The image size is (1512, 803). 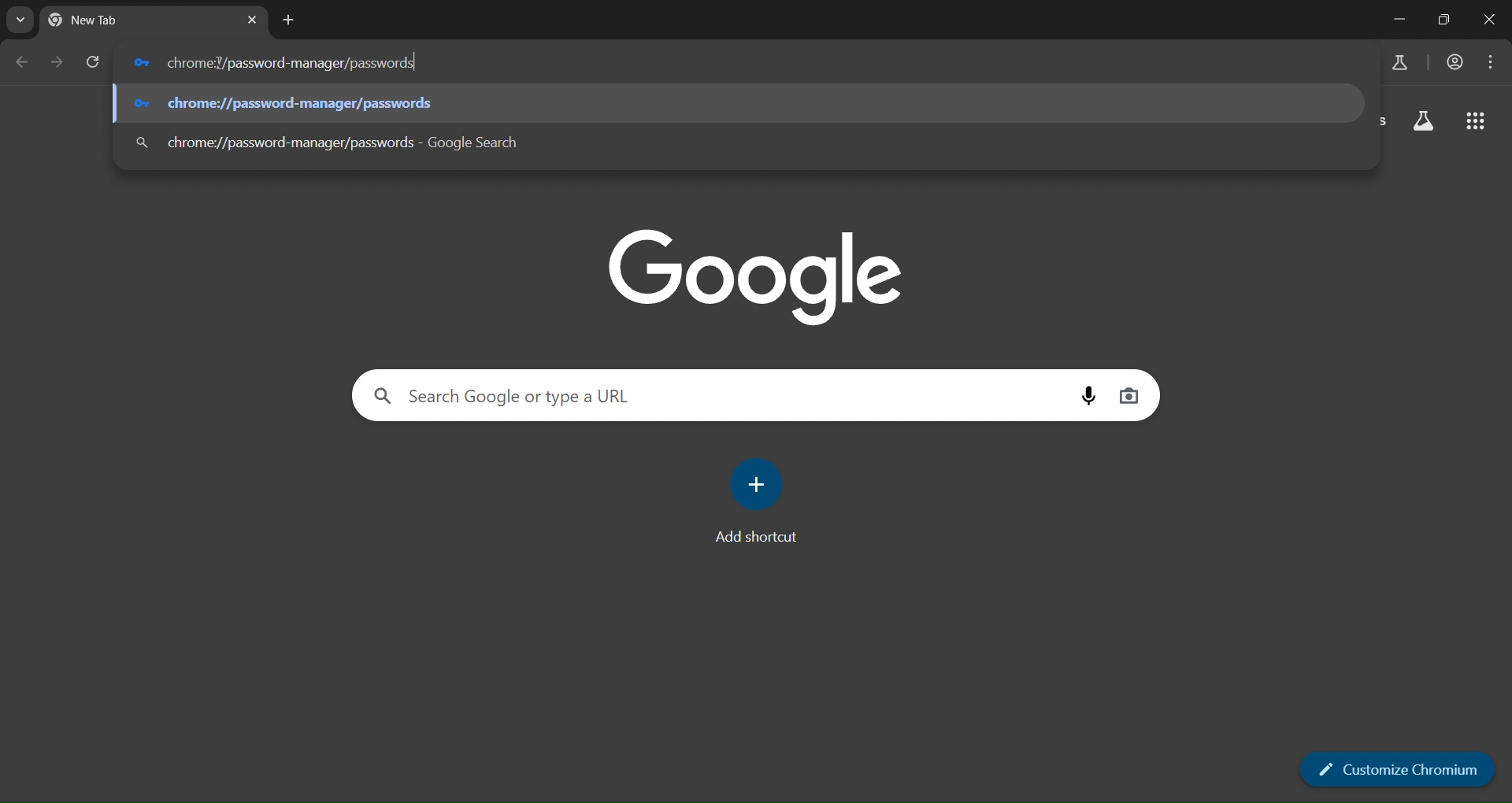 What do you see at coordinates (217, 65) in the screenshot?
I see `cursor` at bounding box center [217, 65].